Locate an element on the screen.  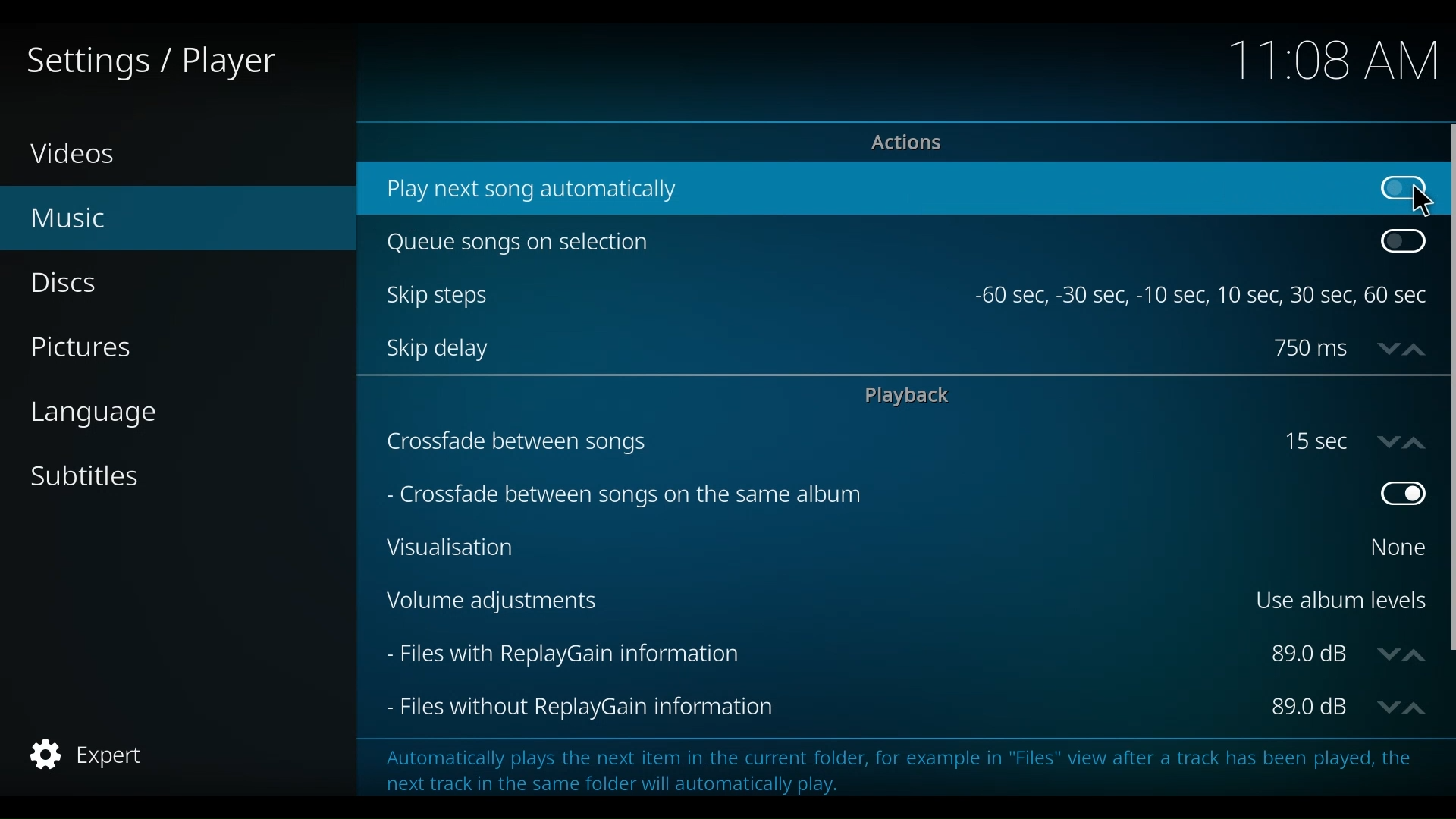
Volume Adjustments is located at coordinates (805, 602).